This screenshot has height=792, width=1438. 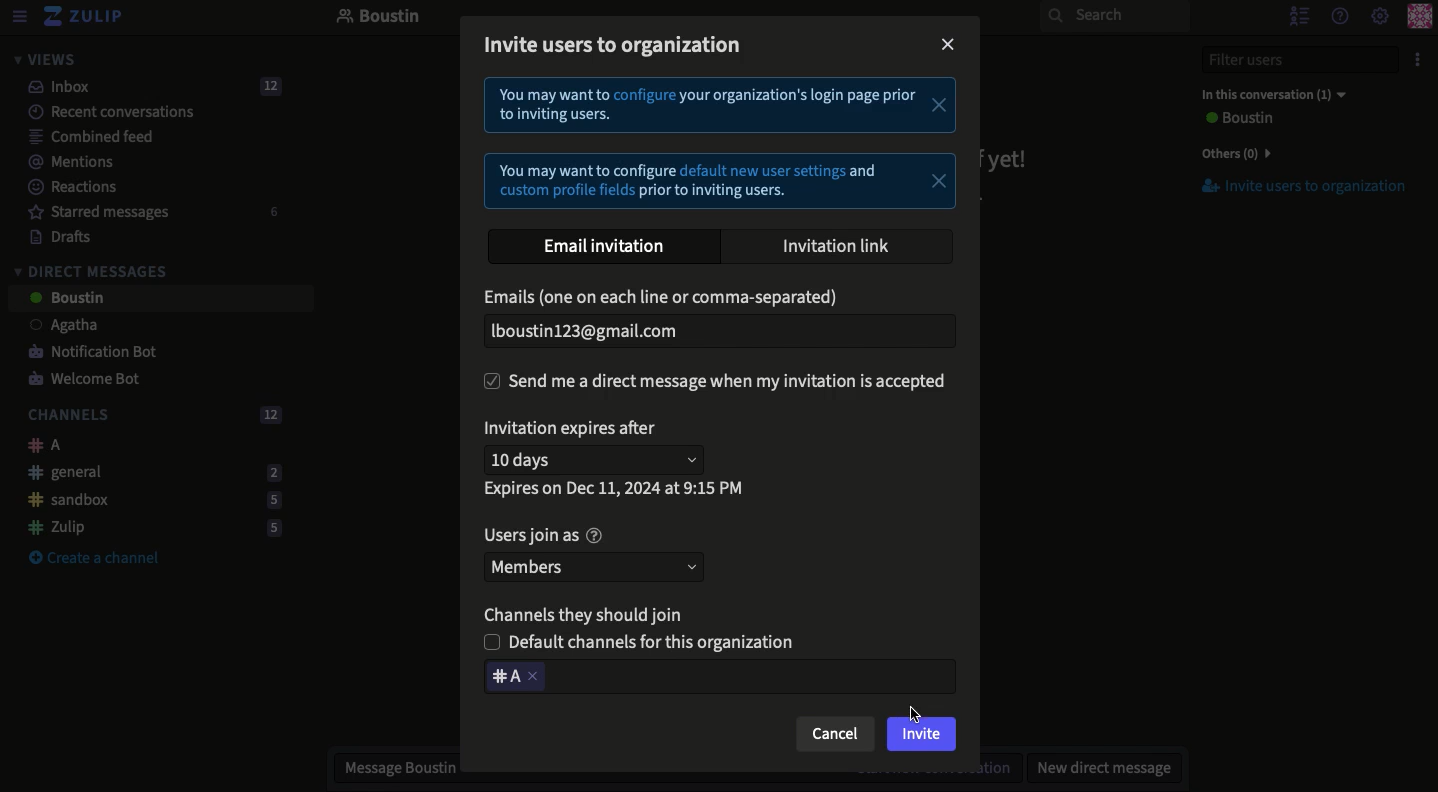 I want to click on In this conversation, so click(x=1269, y=94).